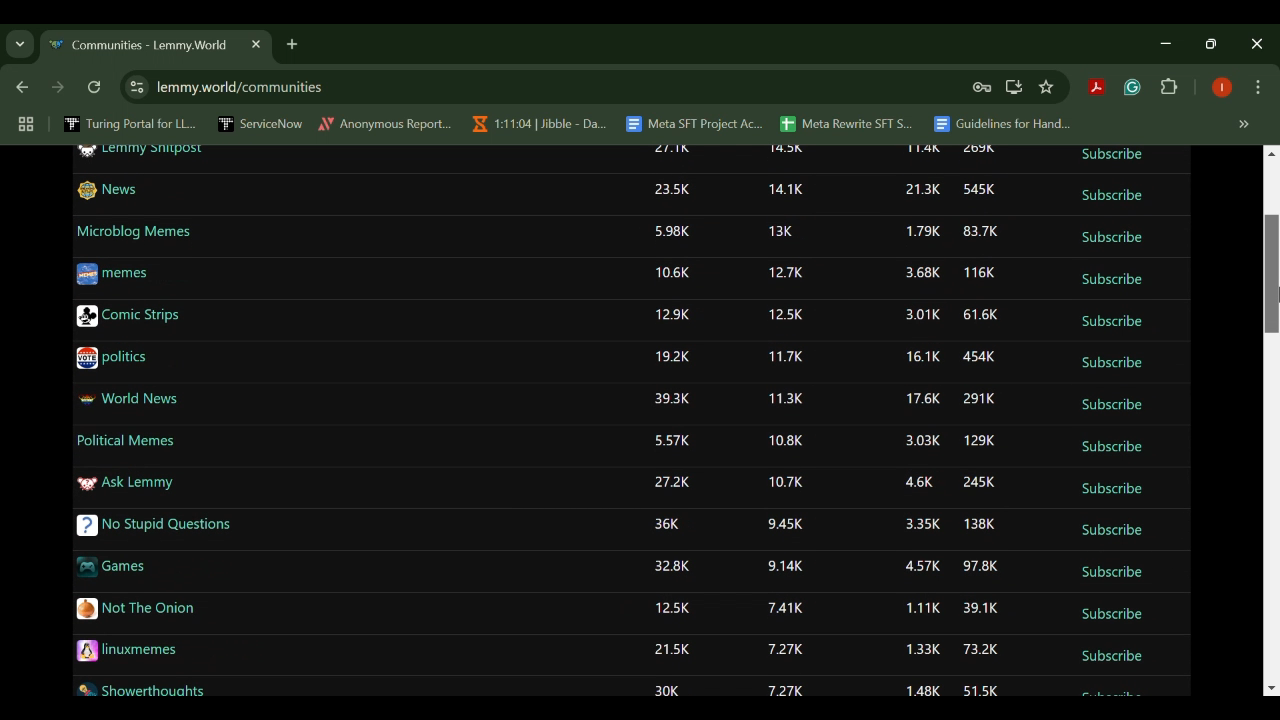  I want to click on 10.6K, so click(671, 273).